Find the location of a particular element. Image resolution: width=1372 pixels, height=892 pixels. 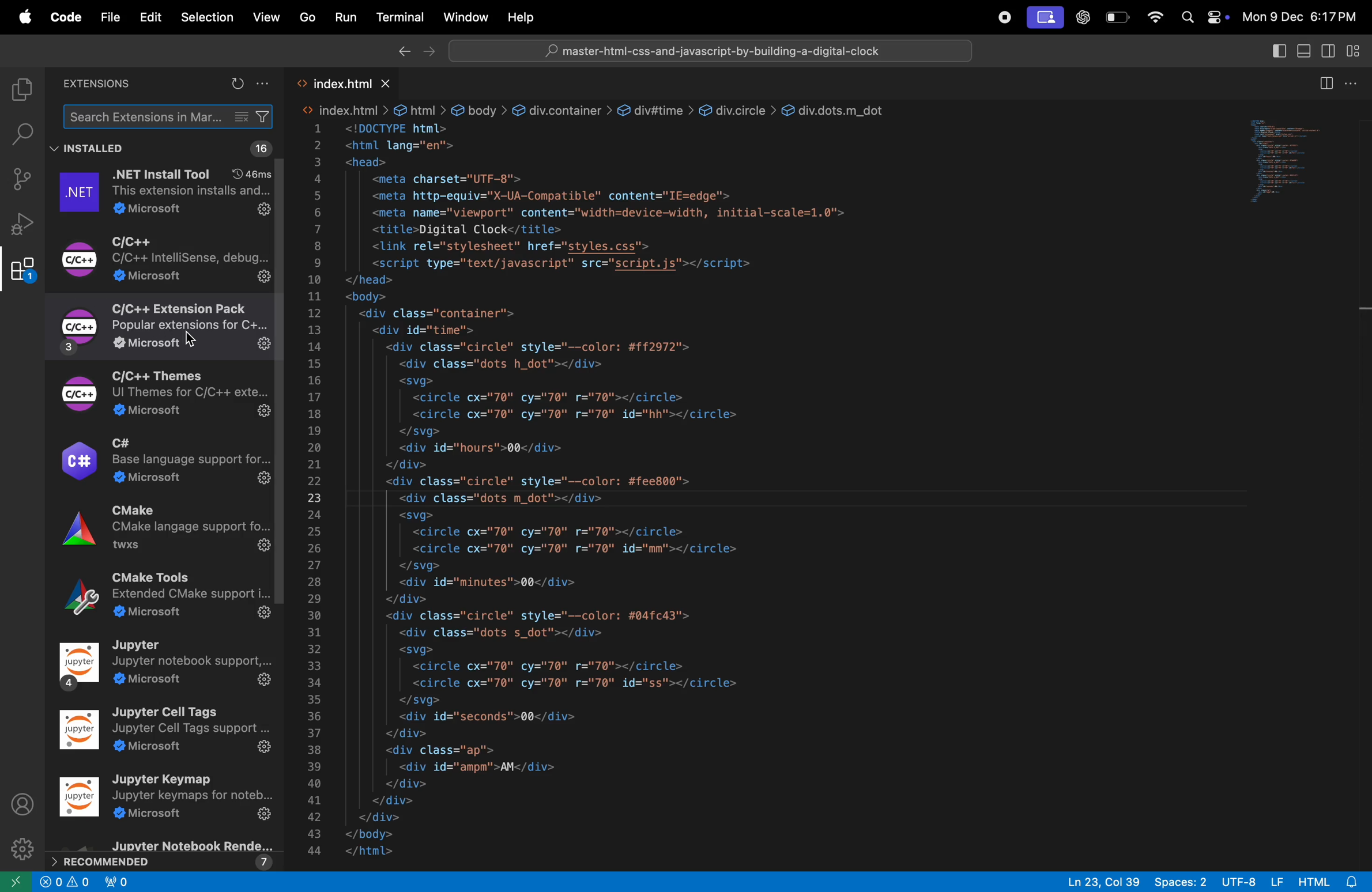

cursor is located at coordinates (193, 338).